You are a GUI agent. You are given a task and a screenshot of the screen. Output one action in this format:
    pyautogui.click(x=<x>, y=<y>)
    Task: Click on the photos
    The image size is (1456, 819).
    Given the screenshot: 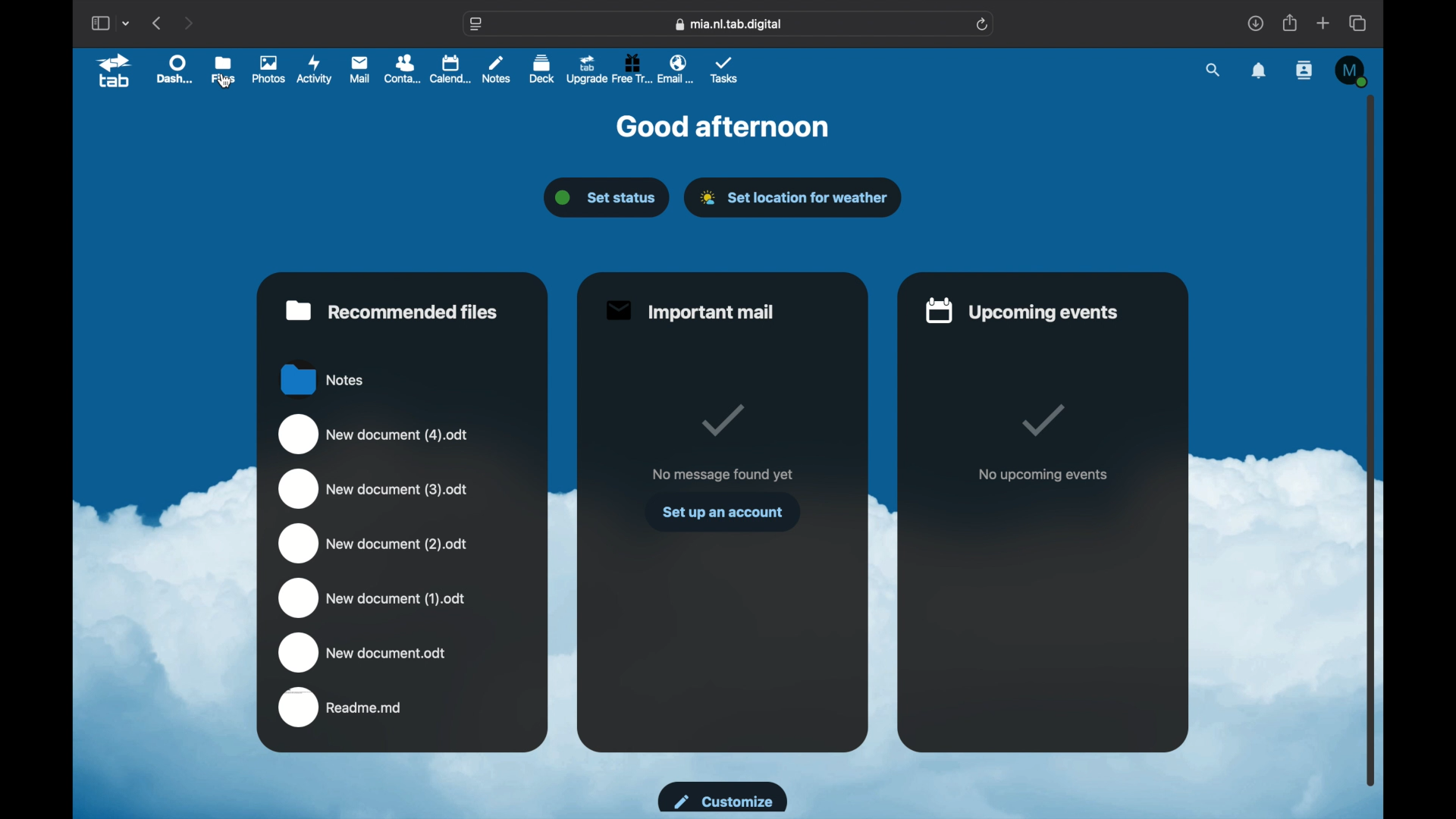 What is the action you would take?
    pyautogui.click(x=268, y=69)
    